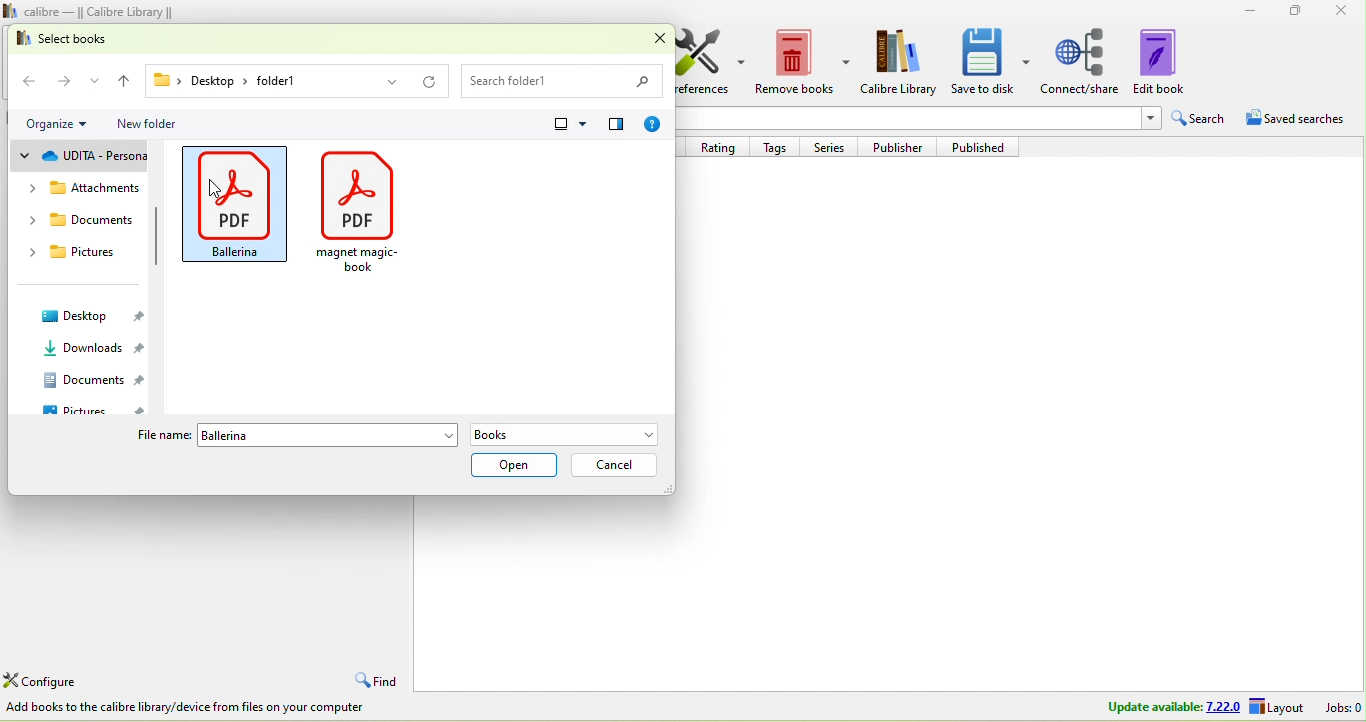  What do you see at coordinates (1164, 63) in the screenshot?
I see `edit book` at bounding box center [1164, 63].